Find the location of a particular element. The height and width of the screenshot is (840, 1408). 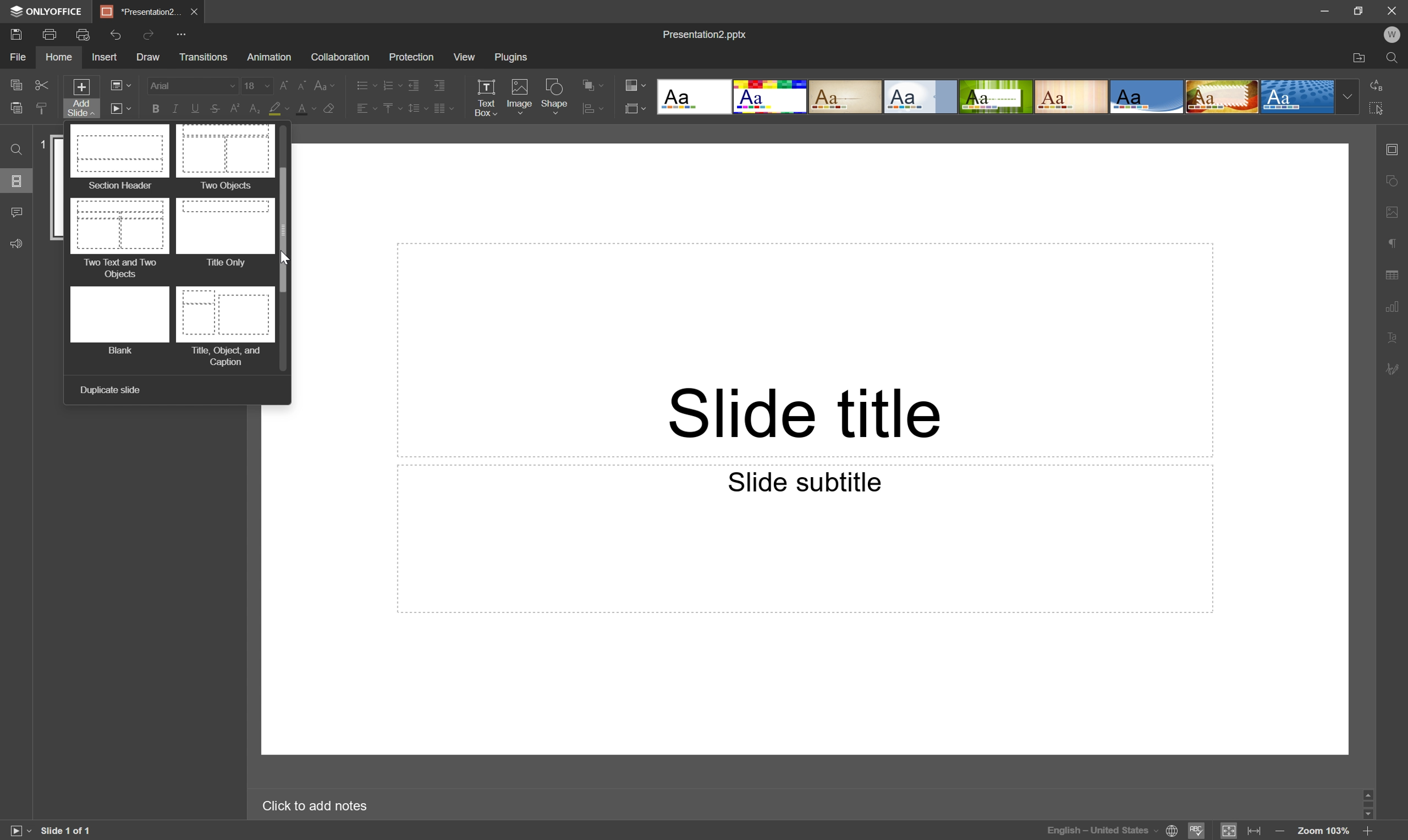

Text Box is located at coordinates (489, 96).